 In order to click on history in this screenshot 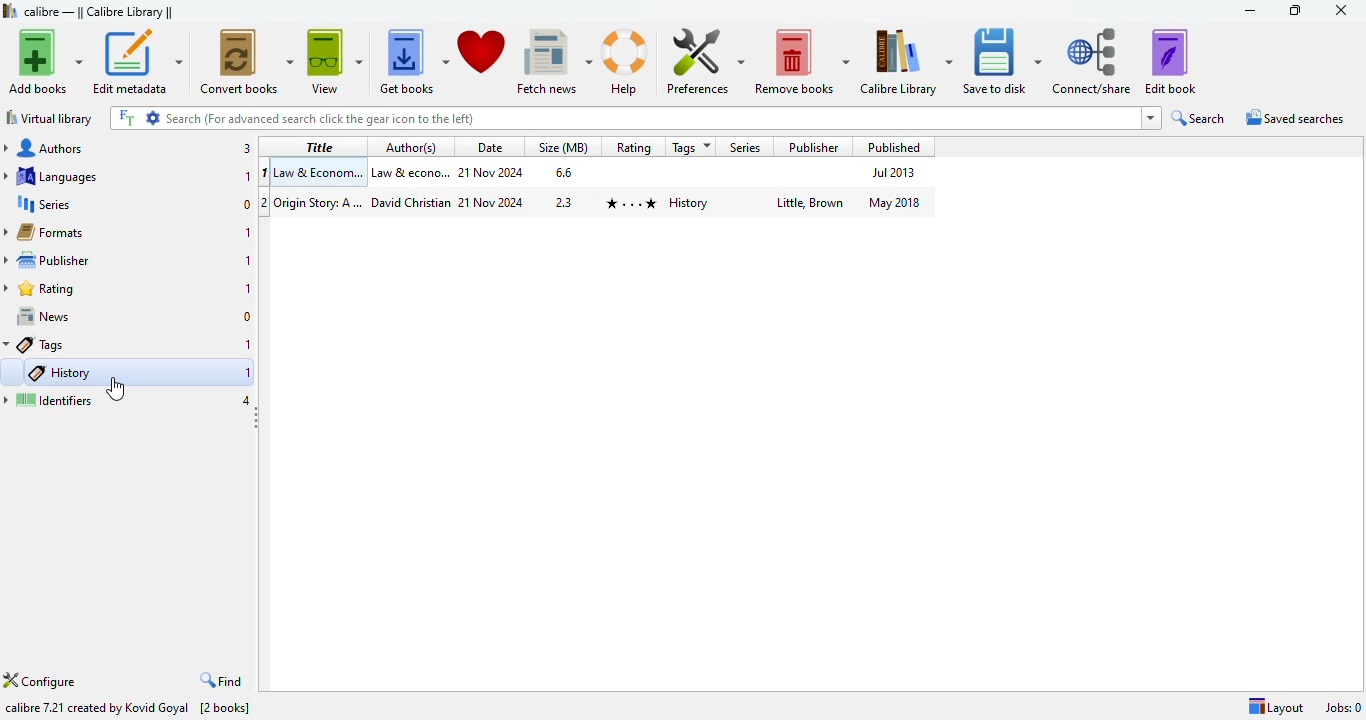, I will do `click(688, 203)`.